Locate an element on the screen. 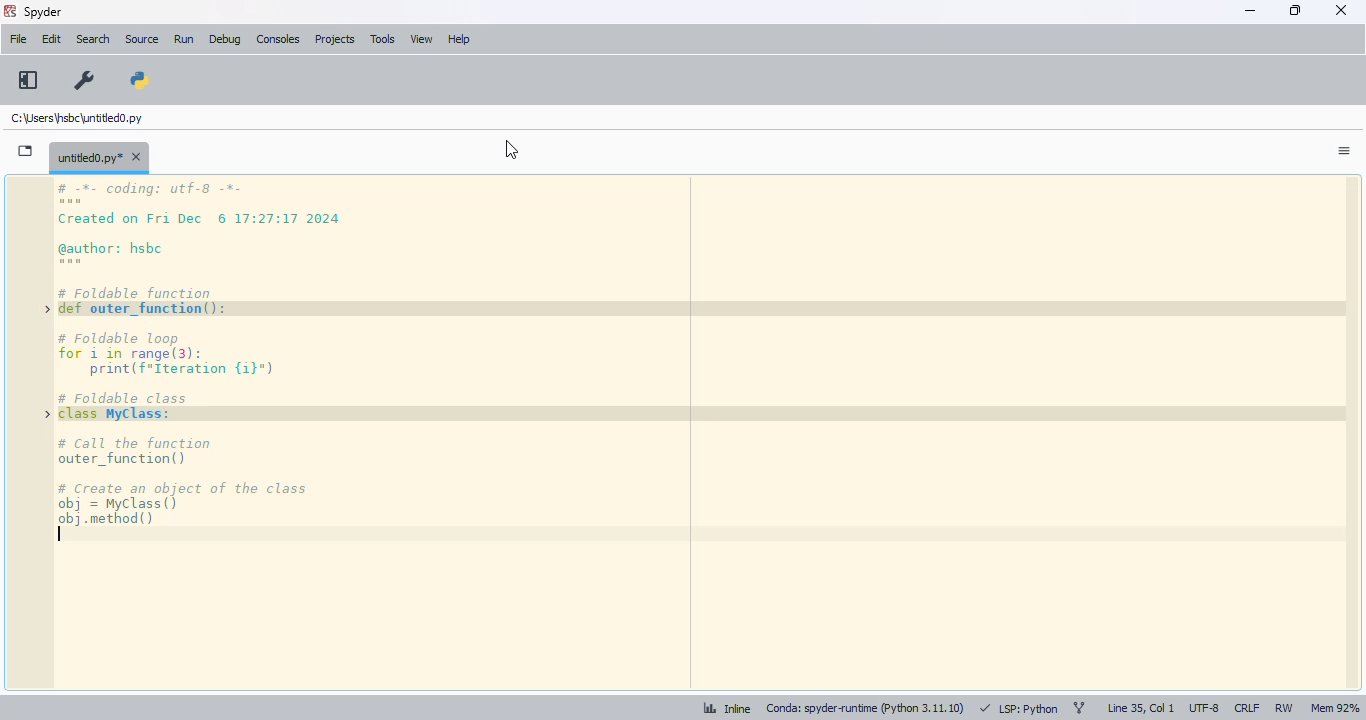 This screenshot has height=720, width=1366. edit is located at coordinates (51, 39).